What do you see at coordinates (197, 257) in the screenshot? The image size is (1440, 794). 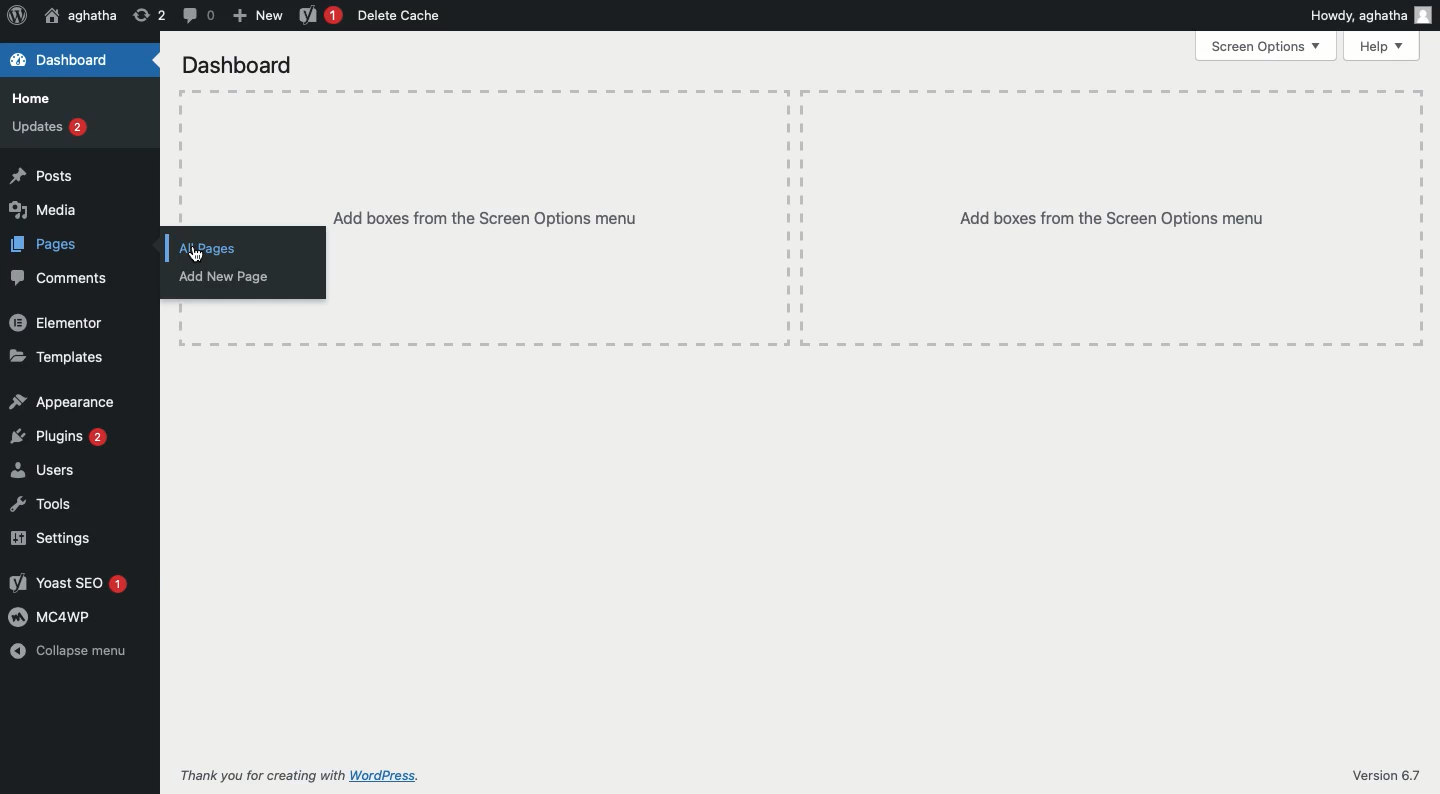 I see `cursor` at bounding box center [197, 257].